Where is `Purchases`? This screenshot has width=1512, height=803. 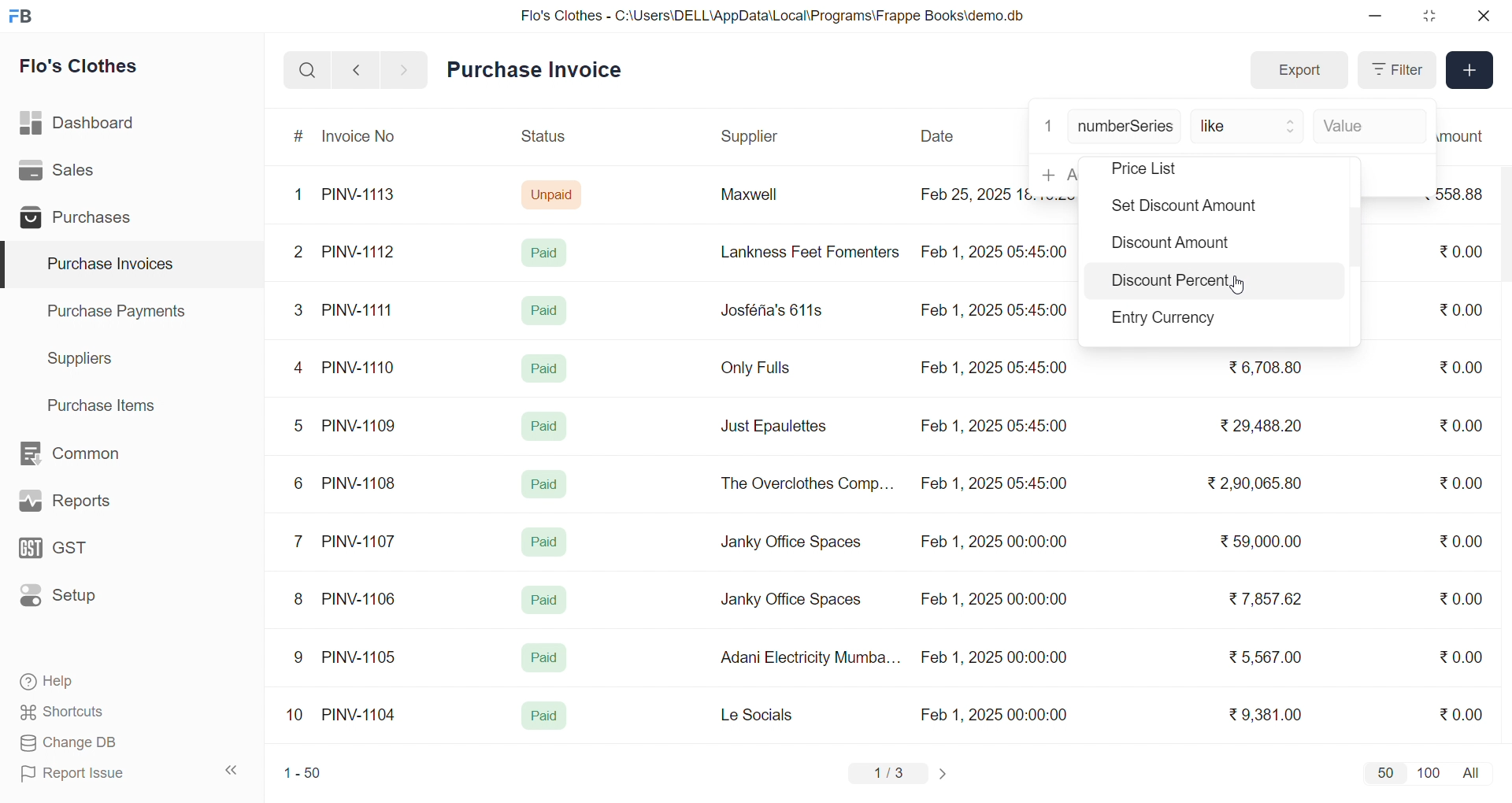
Purchases is located at coordinates (81, 220).